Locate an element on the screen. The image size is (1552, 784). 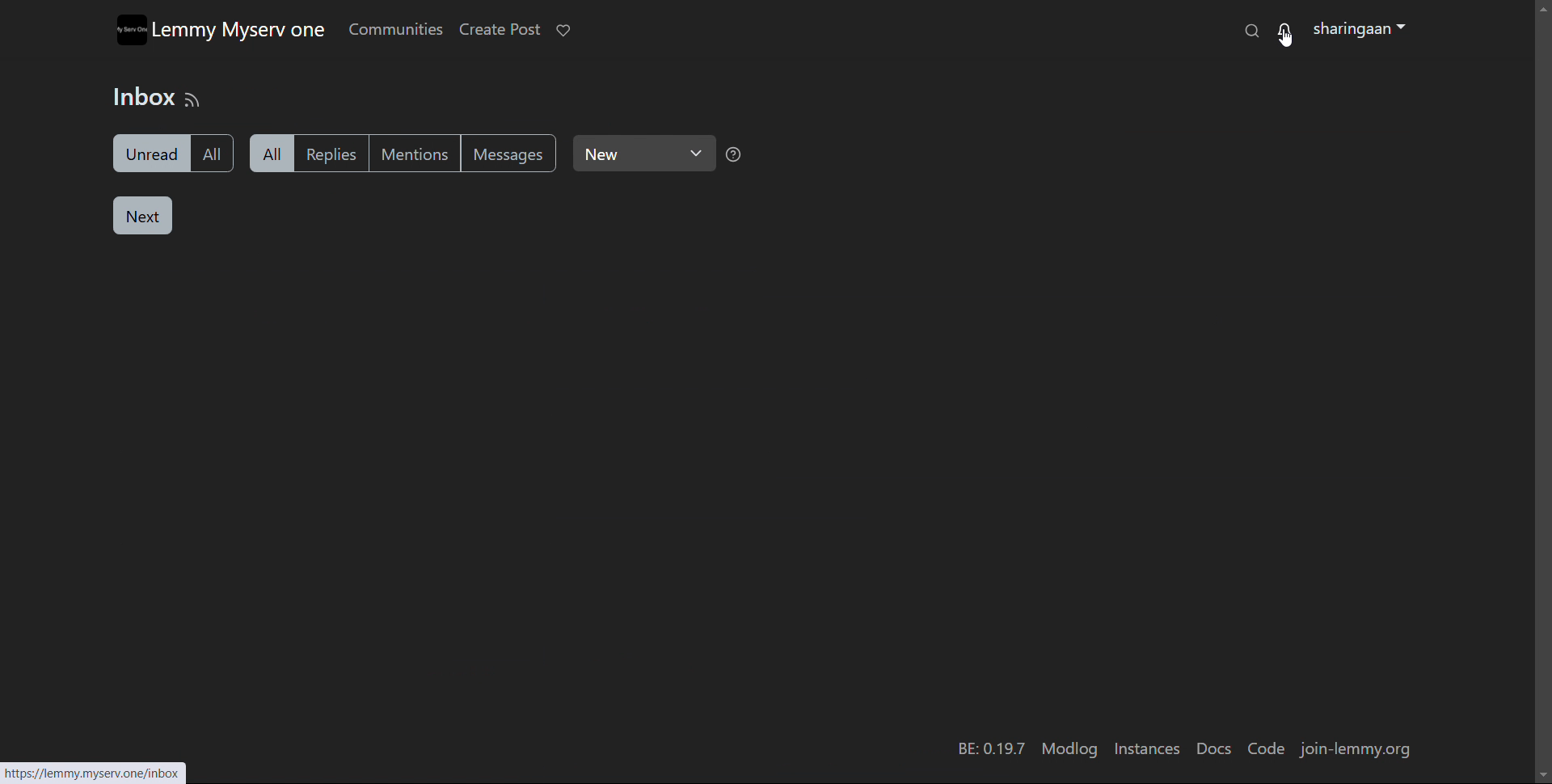
Pointer is located at coordinates (1288, 44).